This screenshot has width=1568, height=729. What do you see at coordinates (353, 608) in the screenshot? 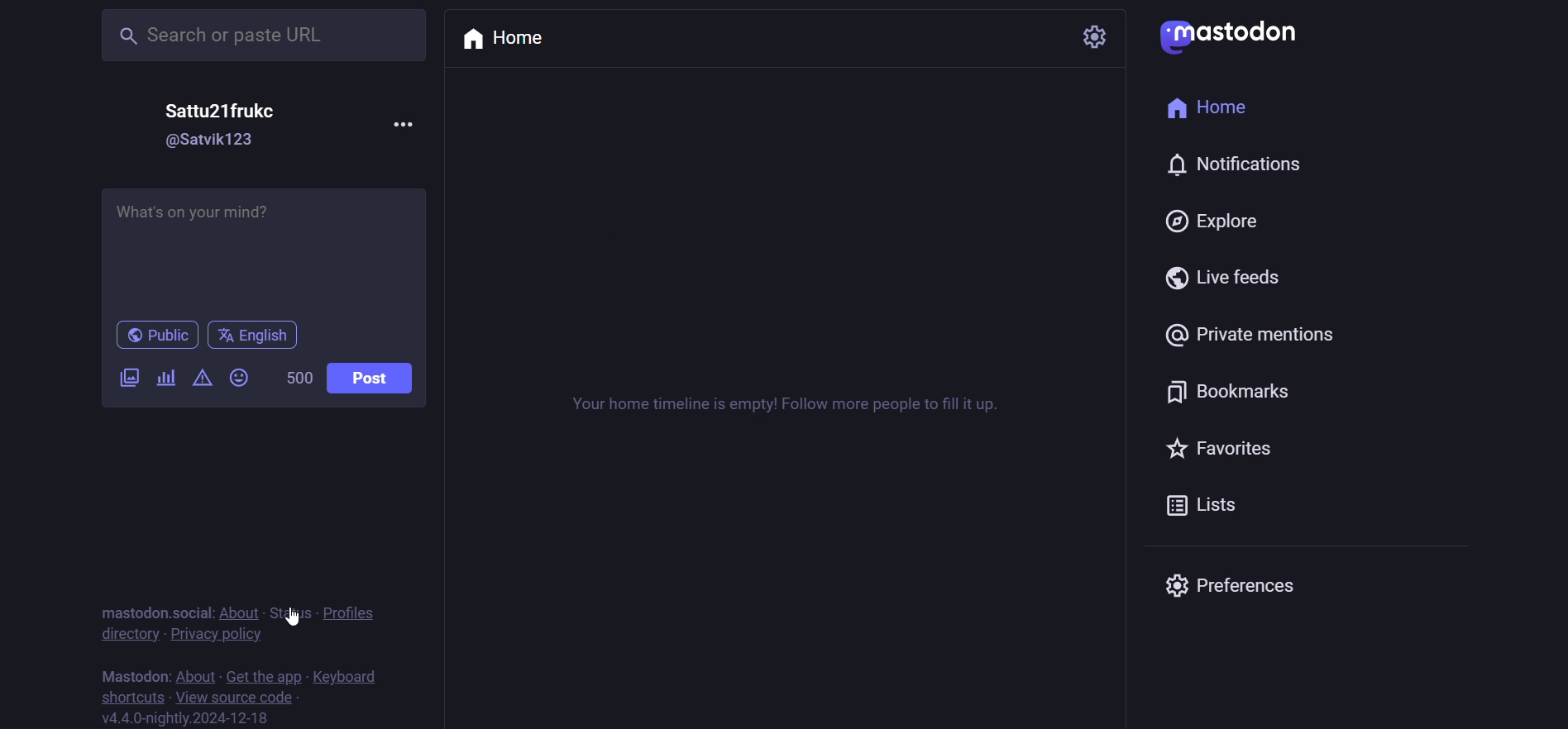
I see `profiles` at bounding box center [353, 608].